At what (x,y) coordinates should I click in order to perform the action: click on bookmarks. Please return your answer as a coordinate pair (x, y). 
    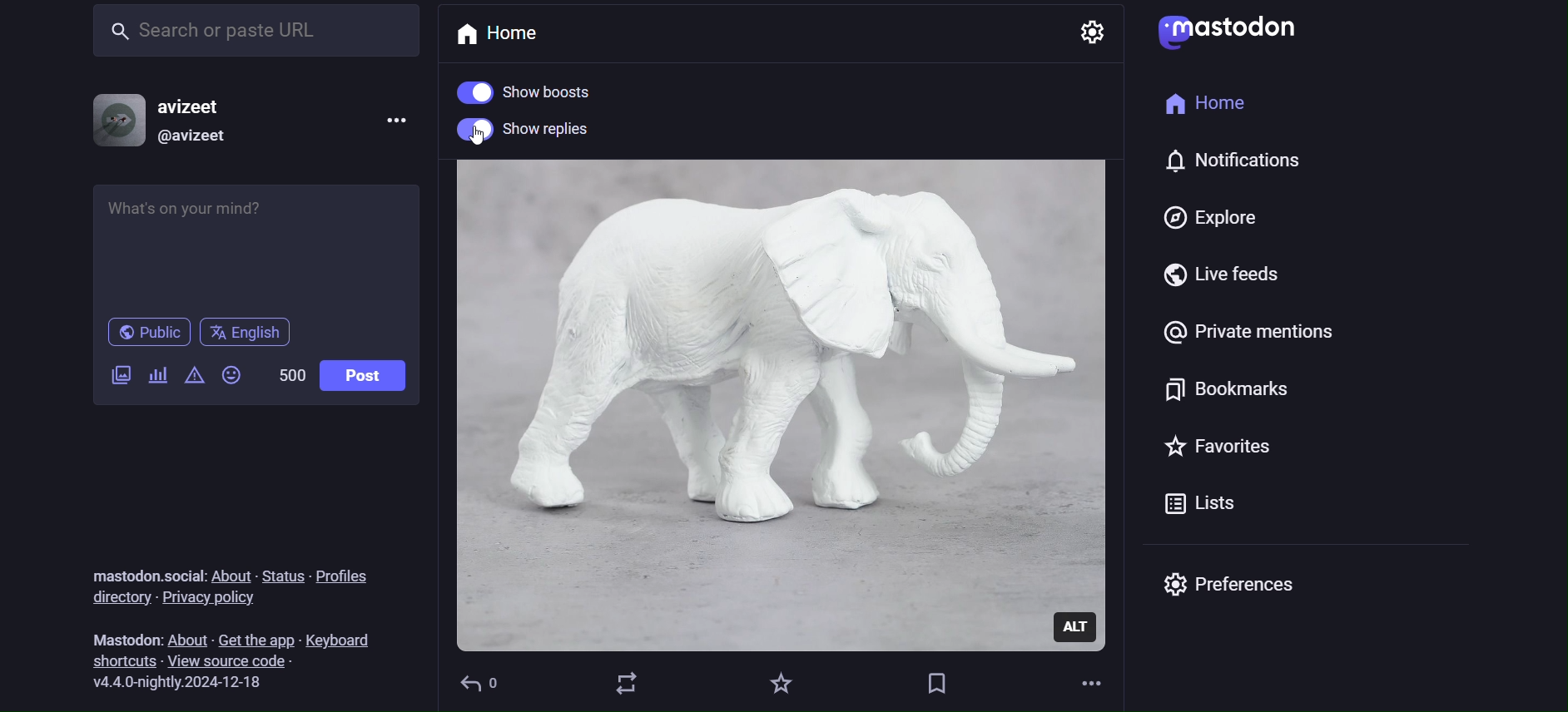
    Looking at the image, I should click on (1220, 393).